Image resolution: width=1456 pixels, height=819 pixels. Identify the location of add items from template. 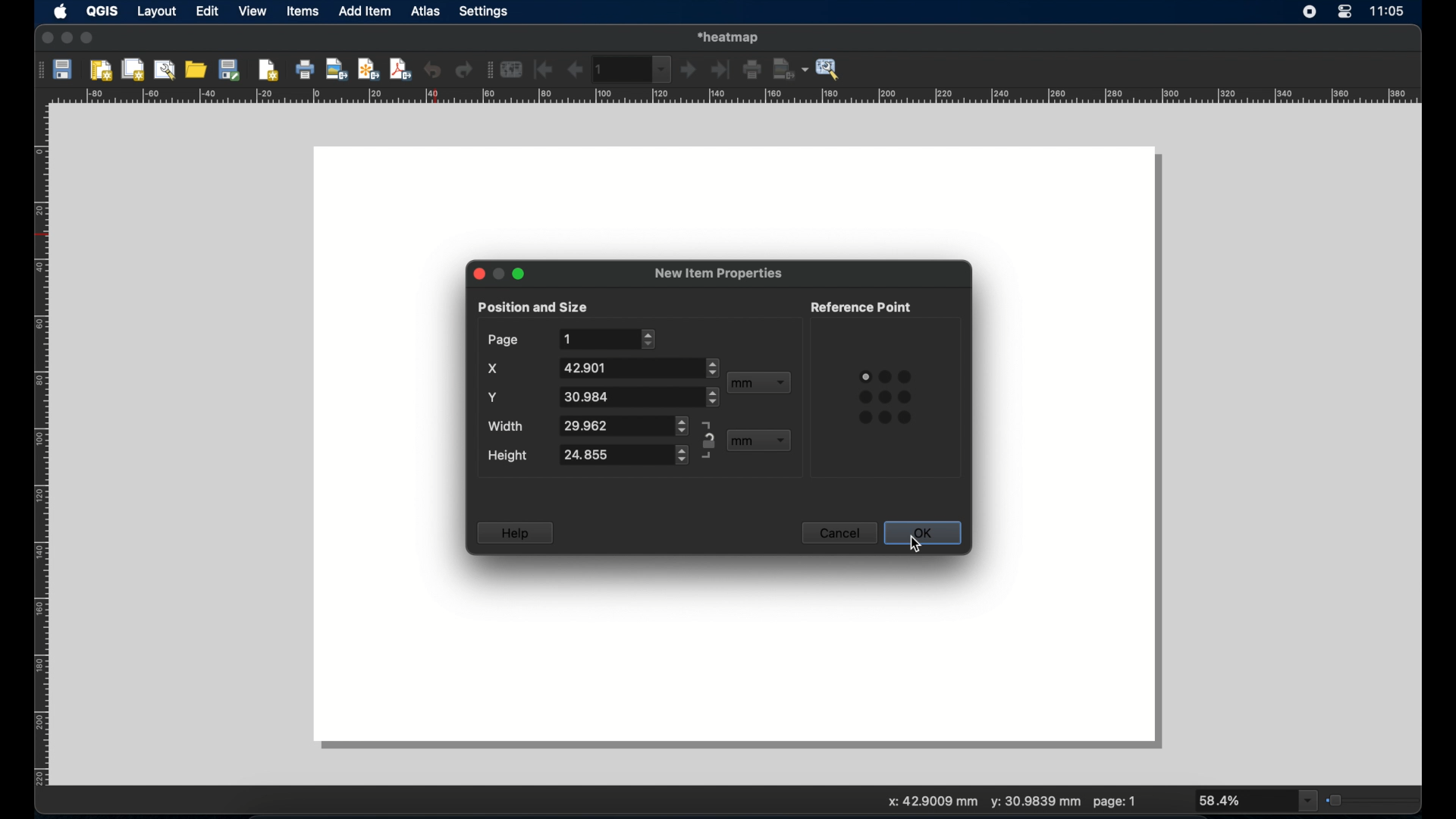
(197, 69).